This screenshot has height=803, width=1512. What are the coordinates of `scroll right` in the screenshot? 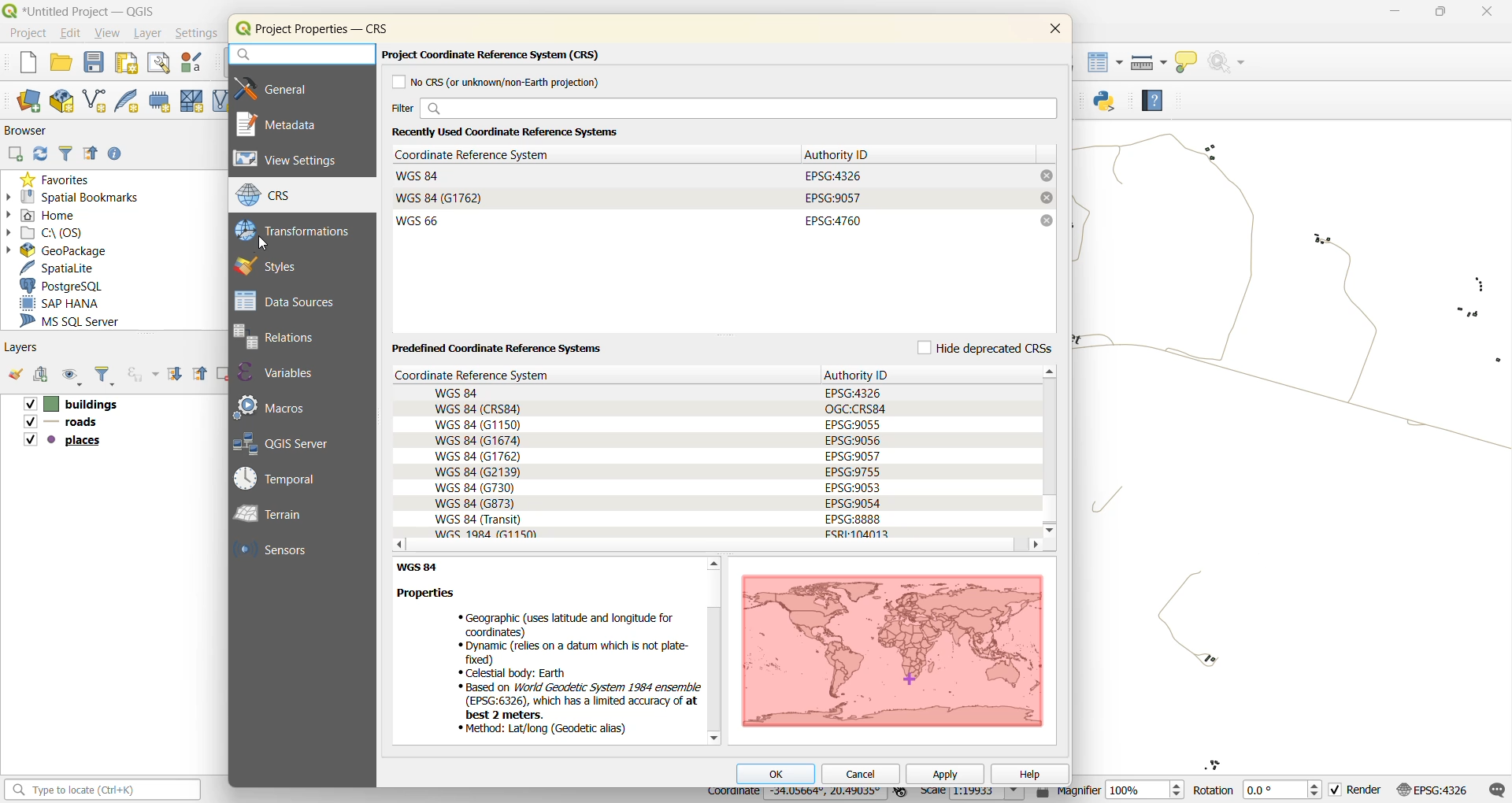 It's located at (1035, 546).